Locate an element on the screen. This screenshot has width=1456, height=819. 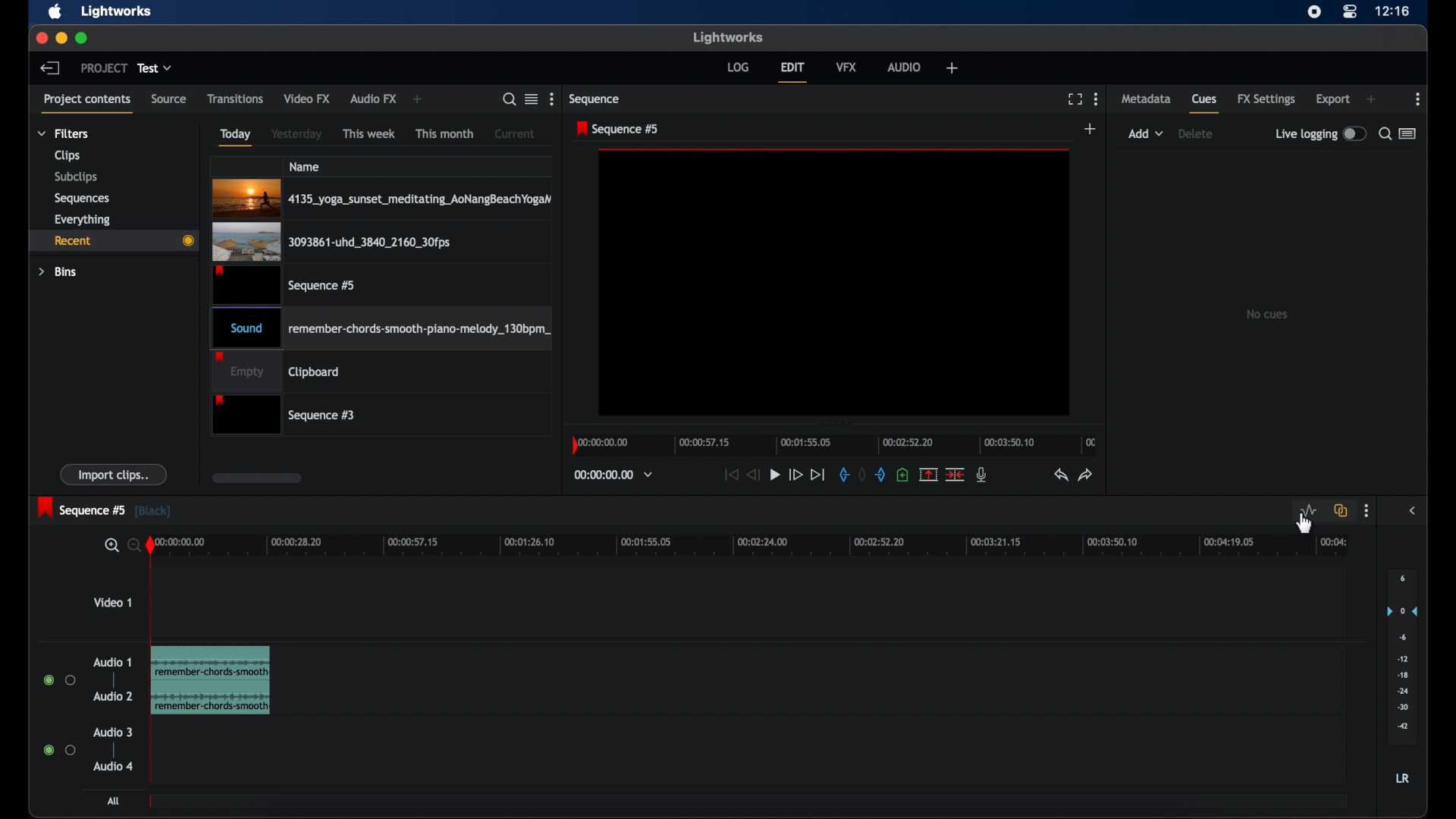
full screen is located at coordinates (1075, 99).